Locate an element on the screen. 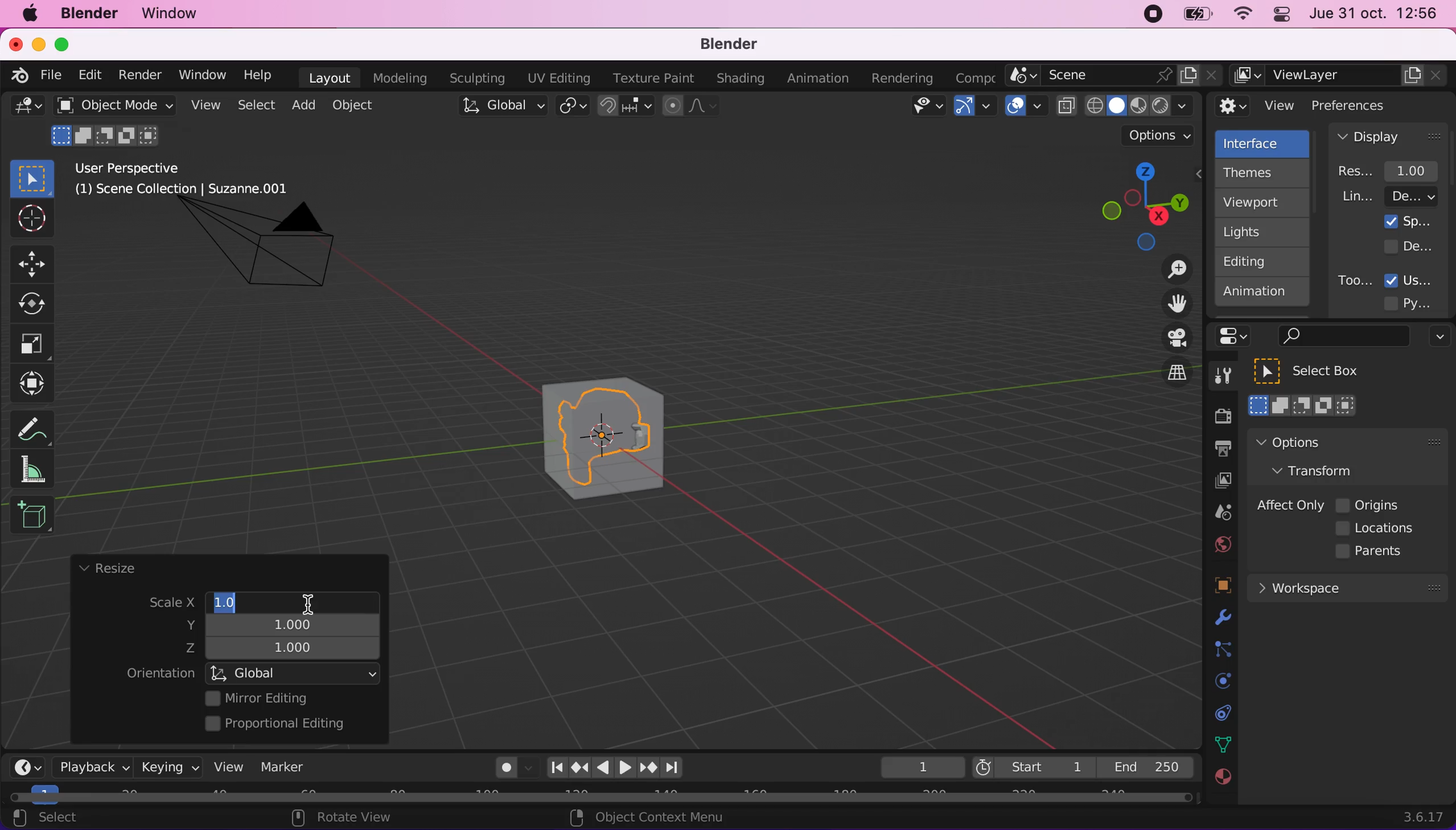 This screenshot has width=1456, height=830. overlays is located at coordinates (1026, 107).